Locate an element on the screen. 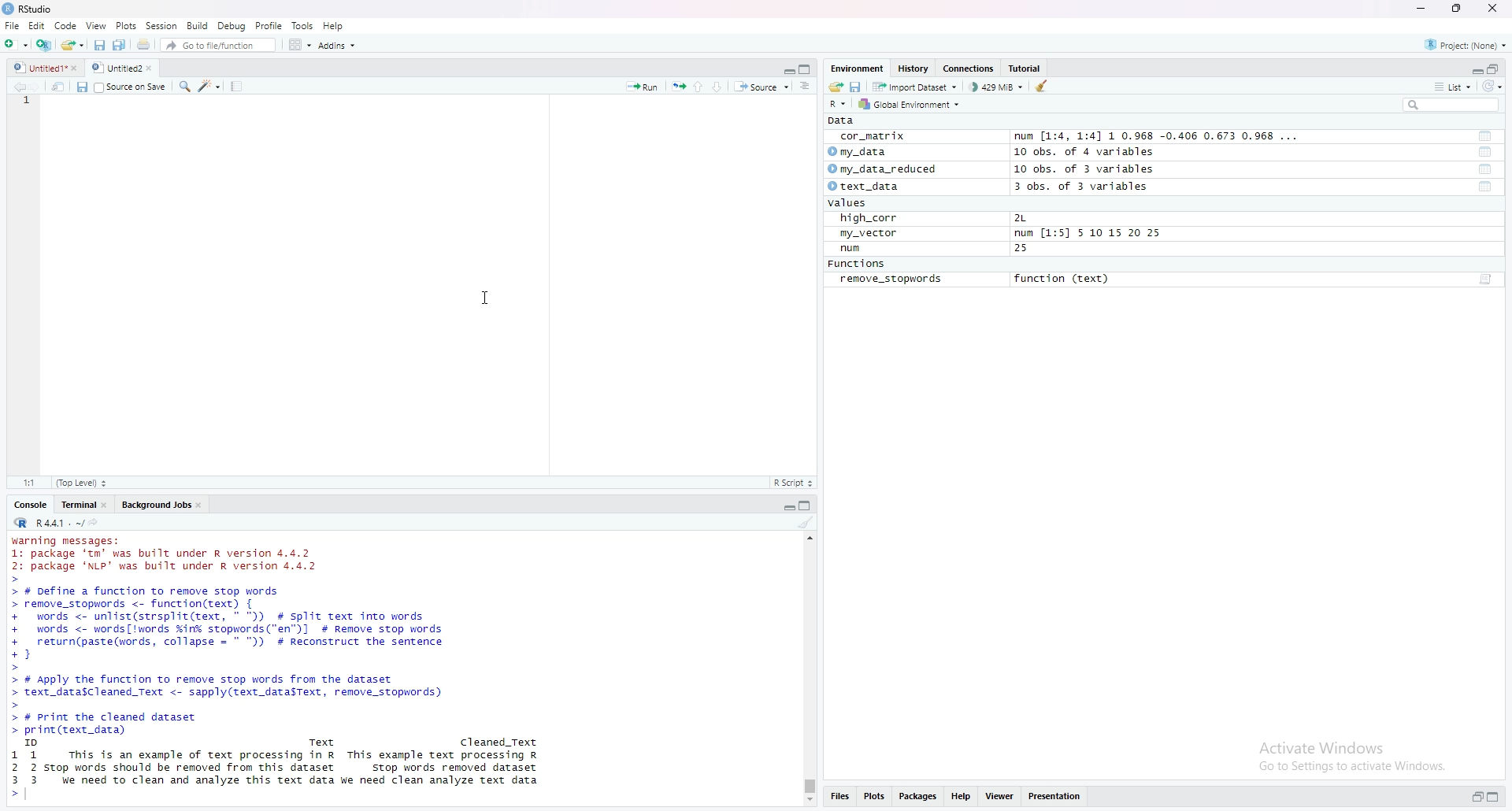 This screenshot has width=1512, height=811. Show Table is located at coordinates (1484, 135).